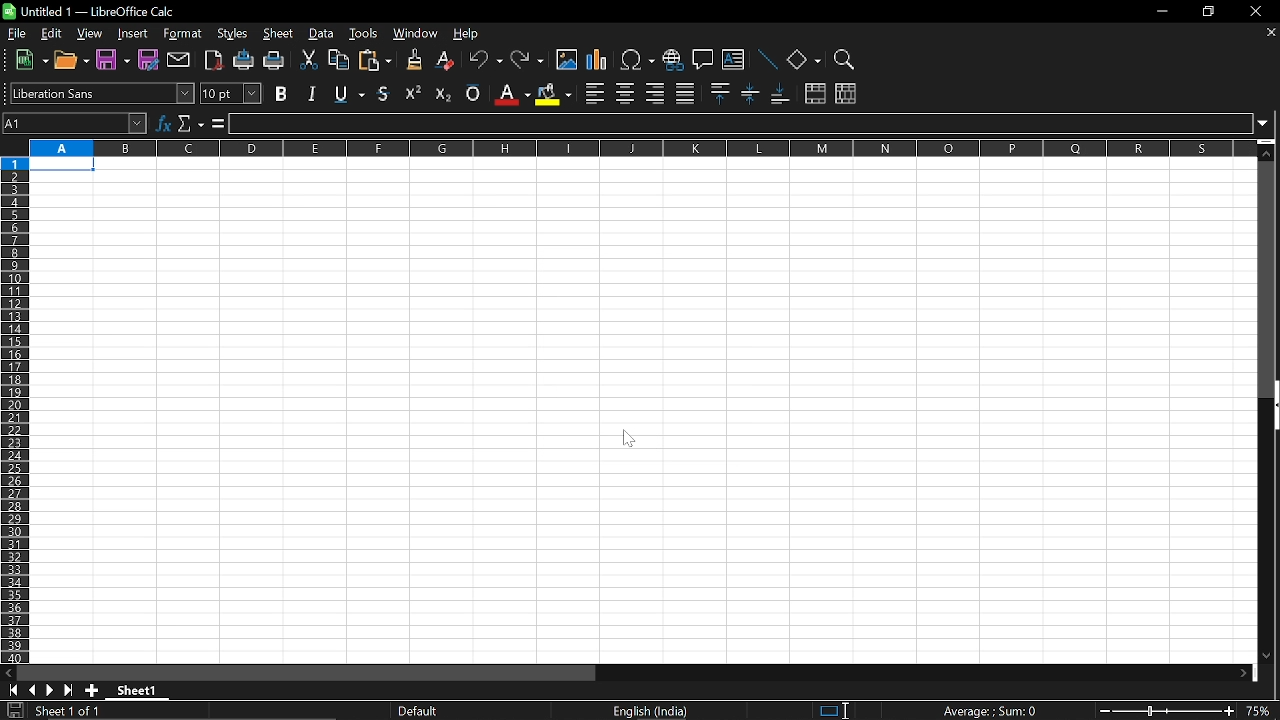  What do you see at coordinates (233, 35) in the screenshot?
I see `styles` at bounding box center [233, 35].